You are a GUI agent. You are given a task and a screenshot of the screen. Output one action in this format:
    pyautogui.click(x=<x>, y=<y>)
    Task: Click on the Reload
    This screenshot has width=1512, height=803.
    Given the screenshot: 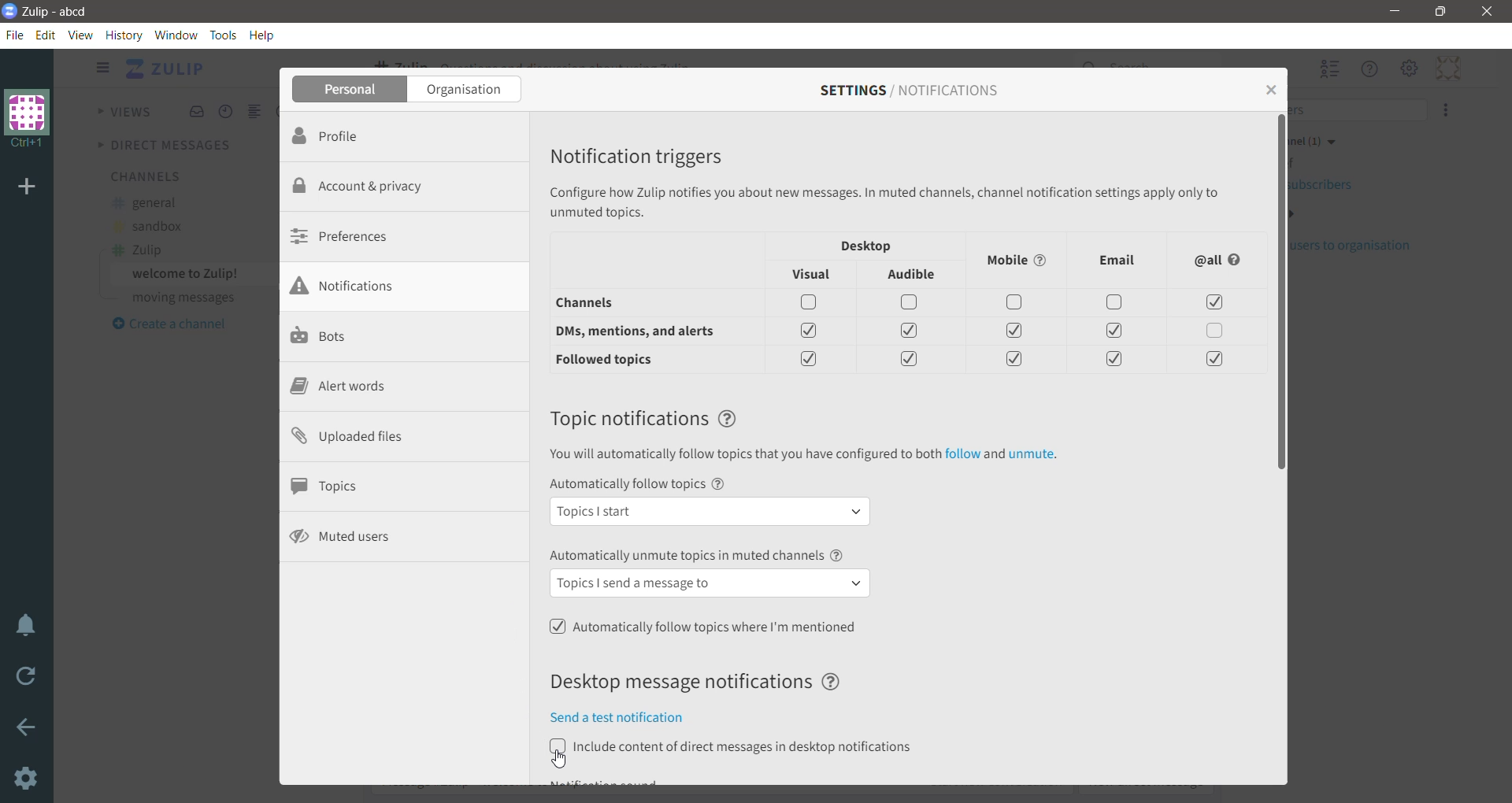 What is the action you would take?
    pyautogui.click(x=28, y=680)
    